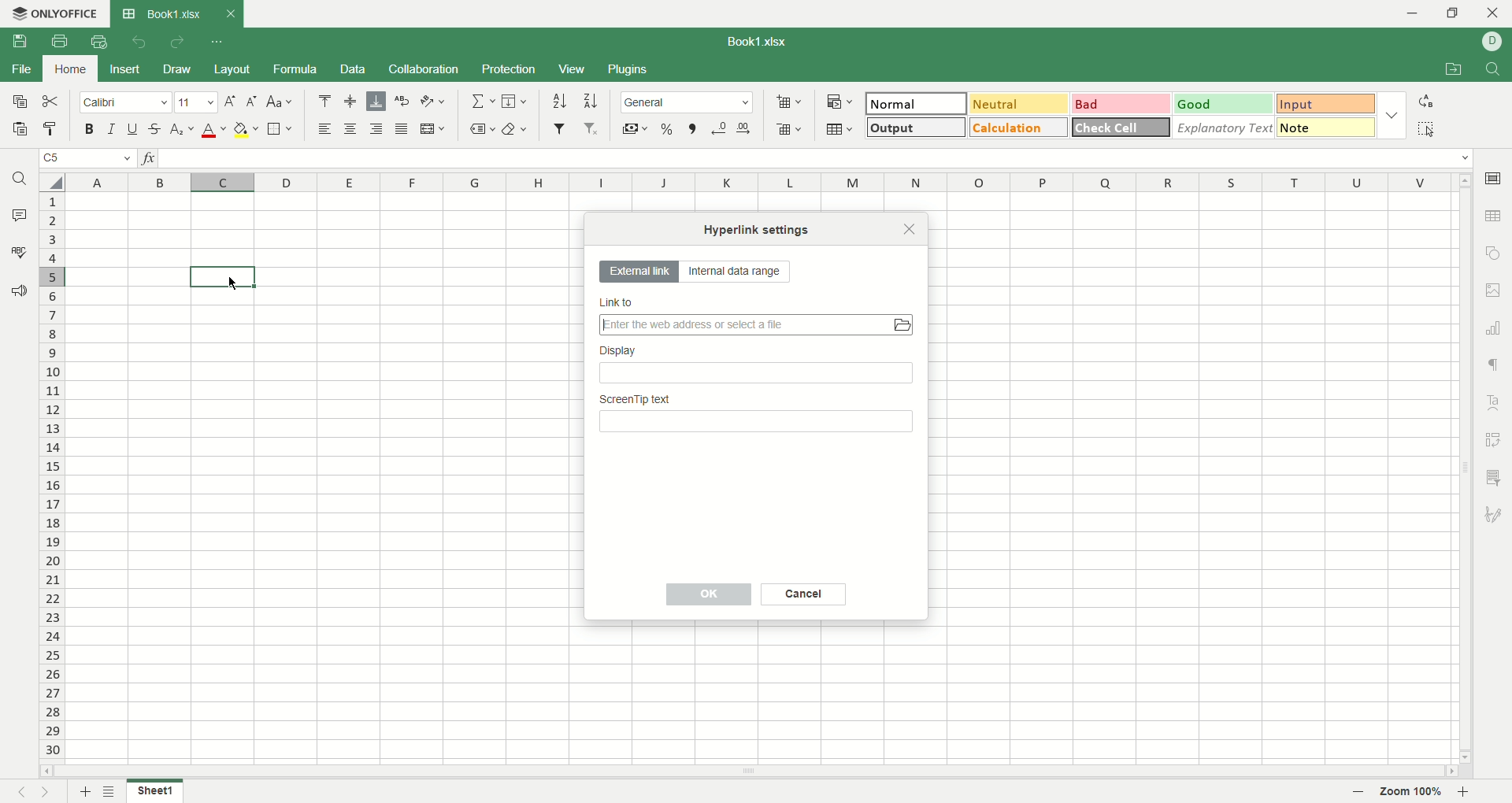  What do you see at coordinates (1461, 469) in the screenshot?
I see `vertical scroll bar` at bounding box center [1461, 469].